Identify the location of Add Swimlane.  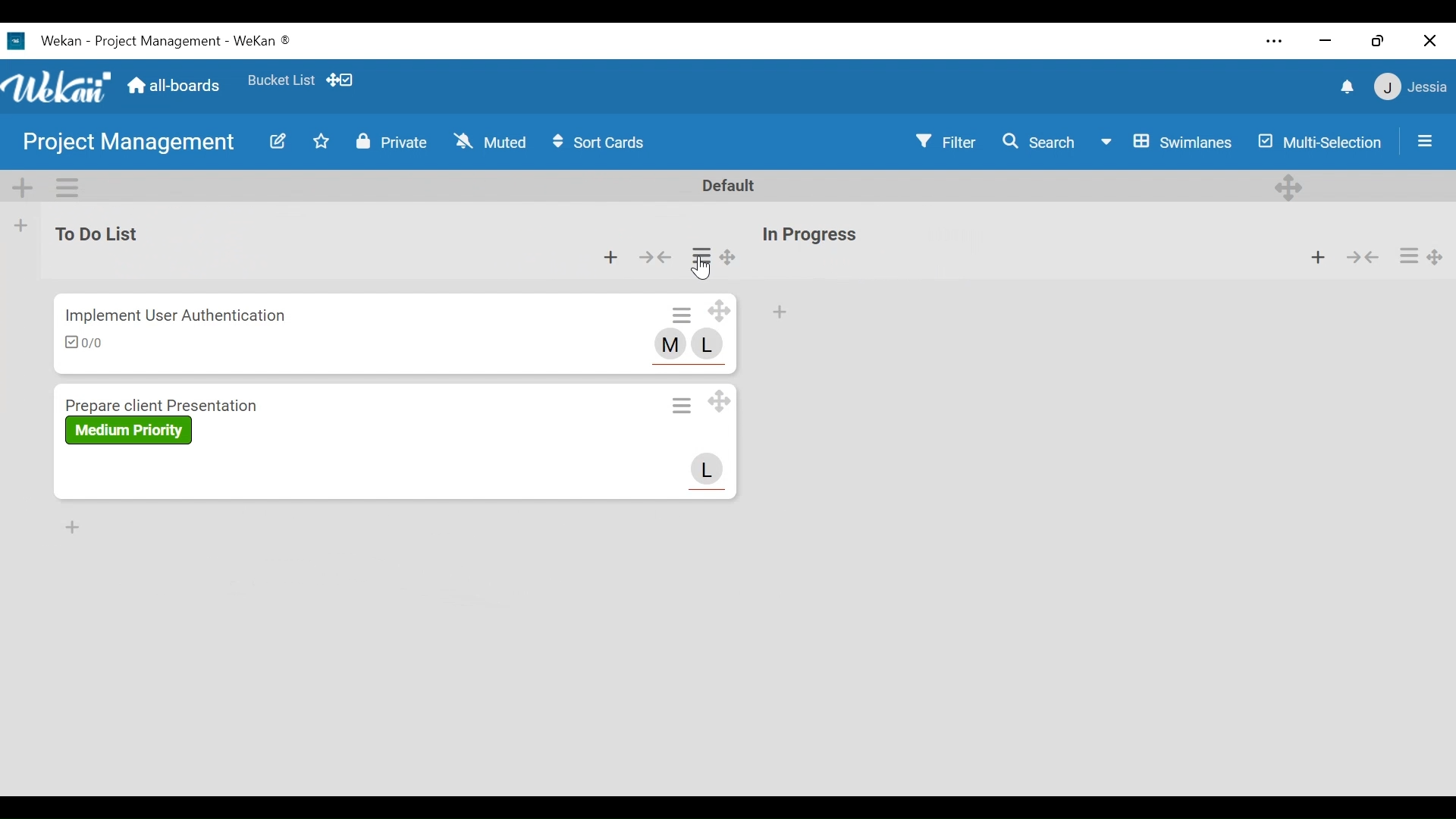
(21, 187).